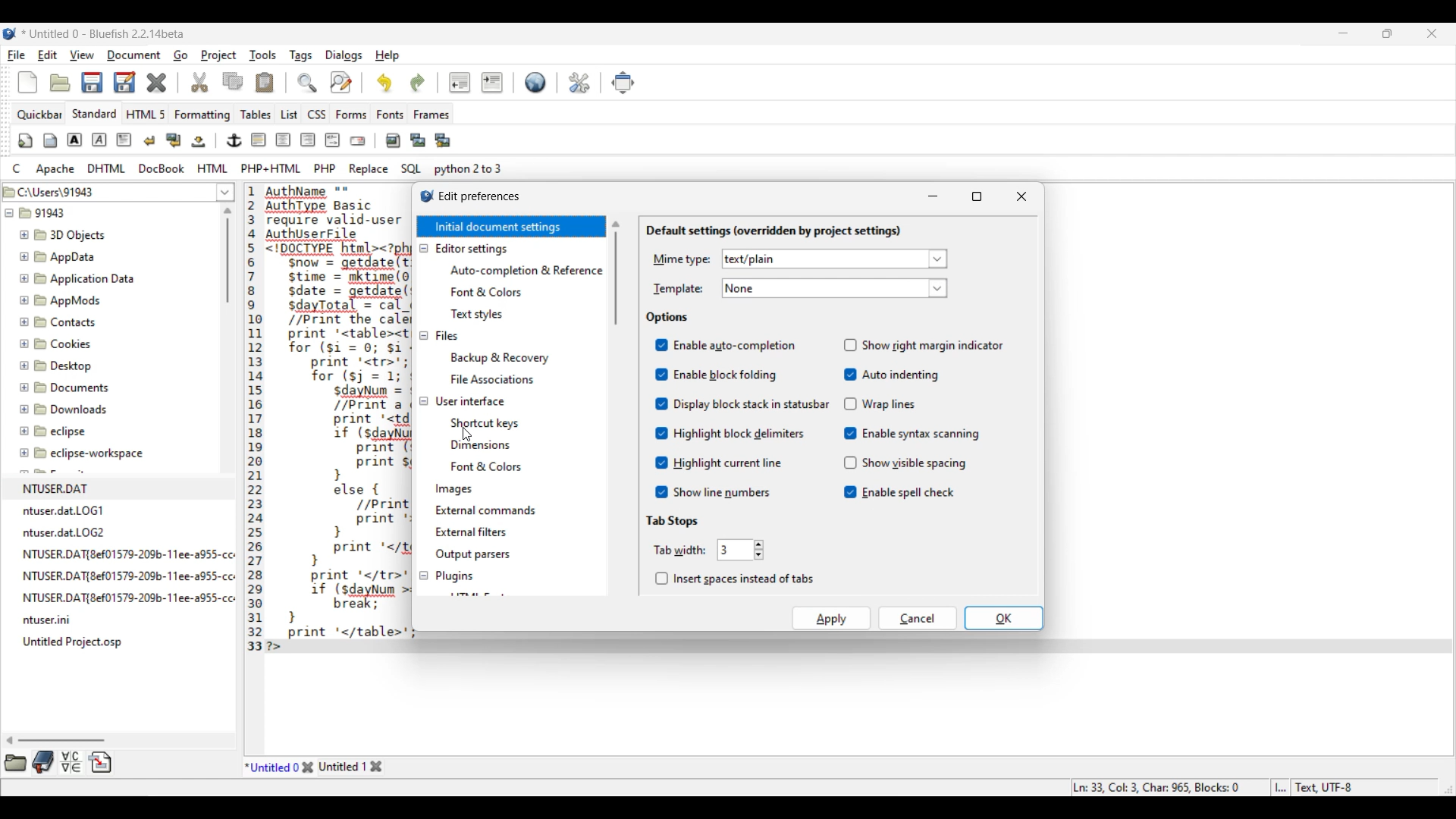  What do you see at coordinates (83, 55) in the screenshot?
I see `View menu` at bounding box center [83, 55].